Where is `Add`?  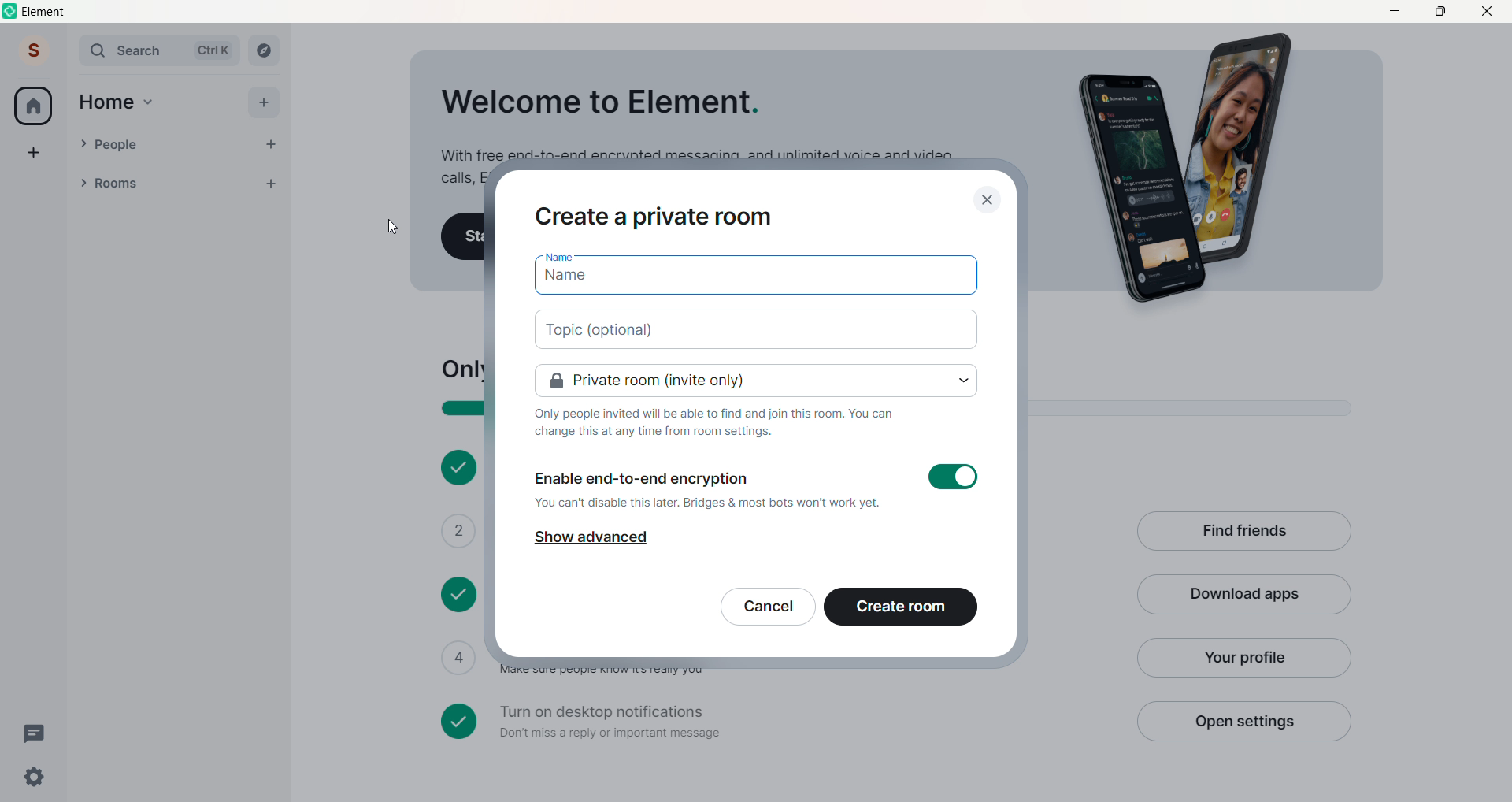
Add is located at coordinates (263, 102).